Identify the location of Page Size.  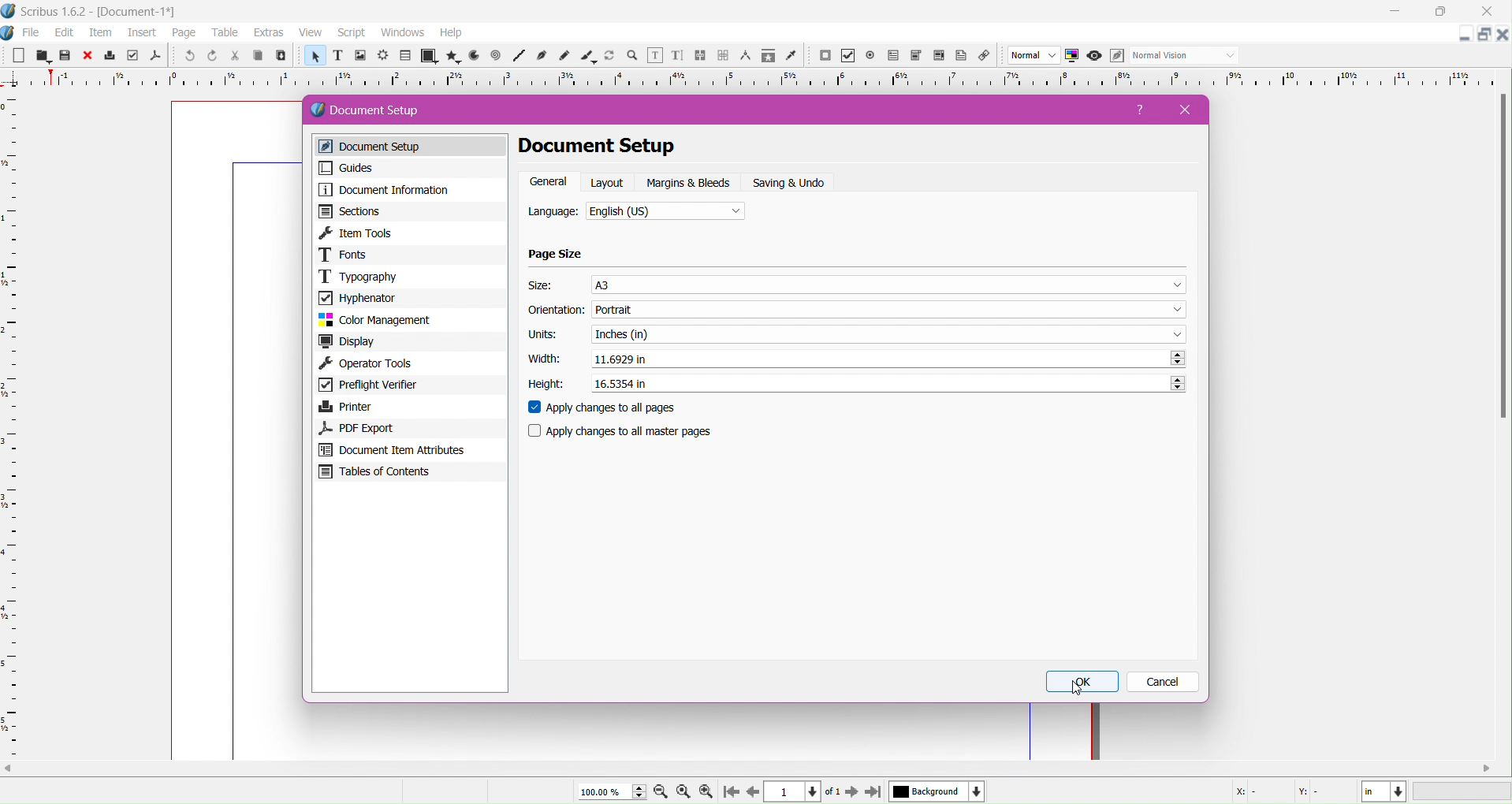
(557, 255).